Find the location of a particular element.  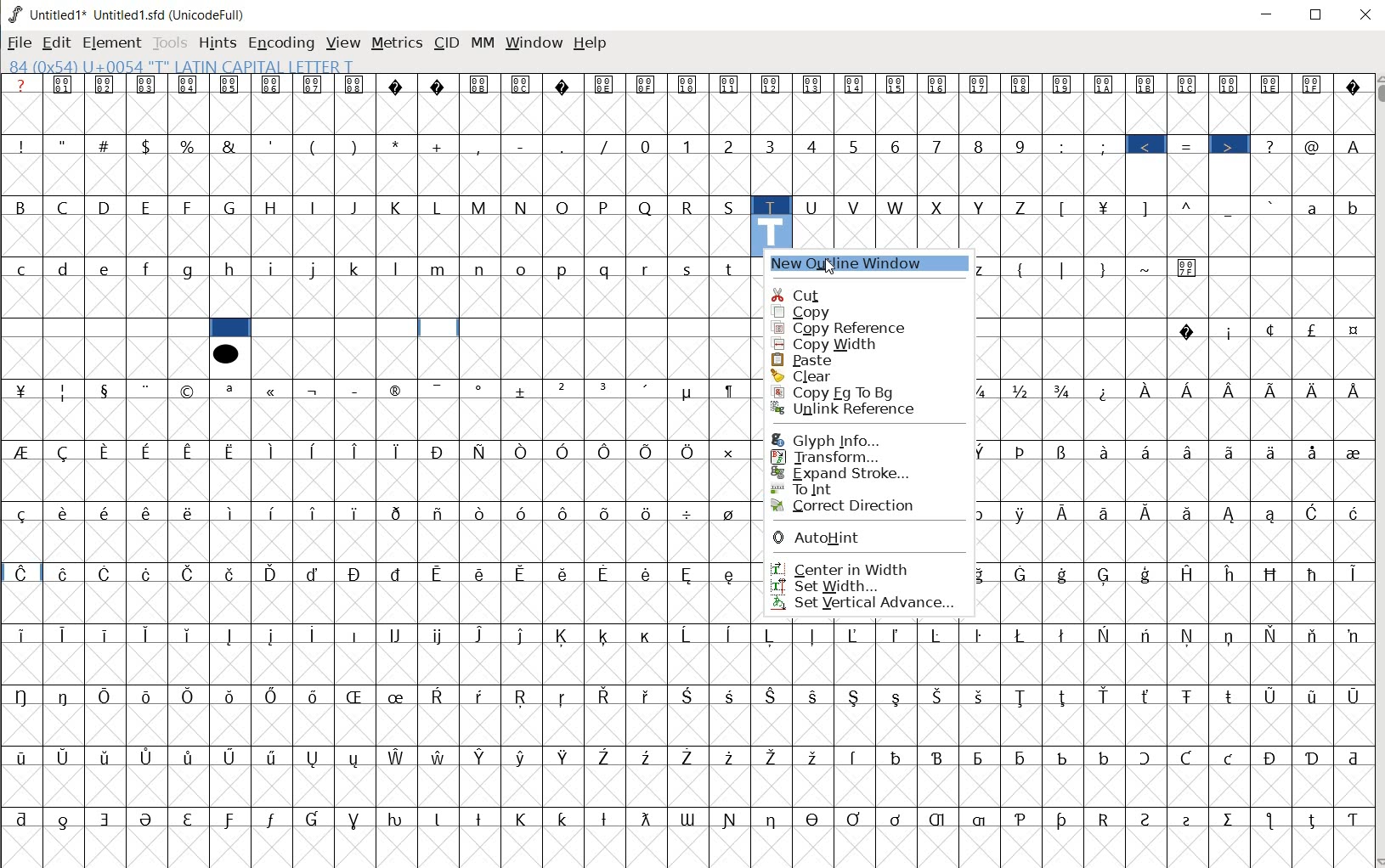

empty spaces is located at coordinates (1287, 268).